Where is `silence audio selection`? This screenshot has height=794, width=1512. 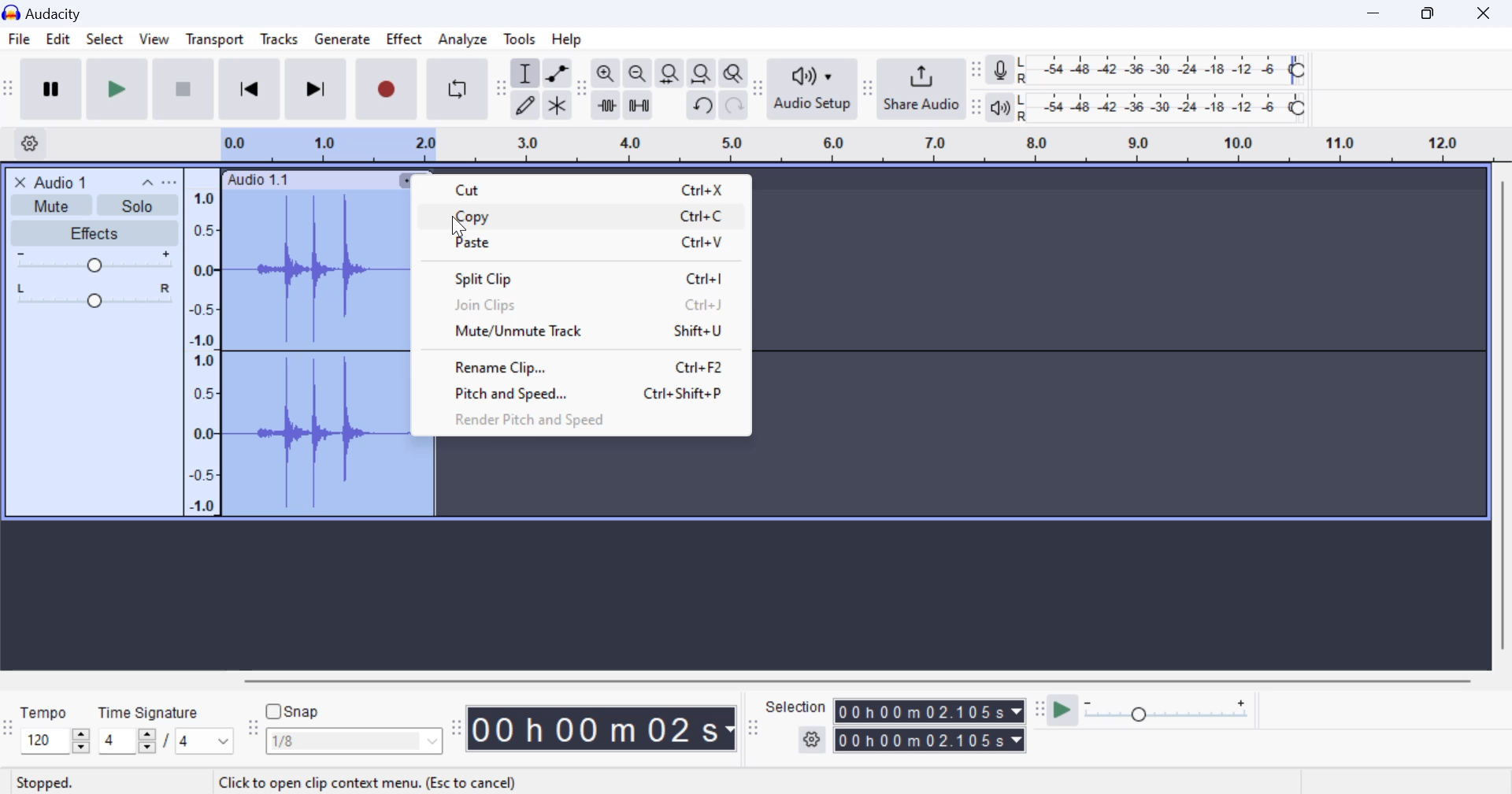 silence audio selection is located at coordinates (639, 106).